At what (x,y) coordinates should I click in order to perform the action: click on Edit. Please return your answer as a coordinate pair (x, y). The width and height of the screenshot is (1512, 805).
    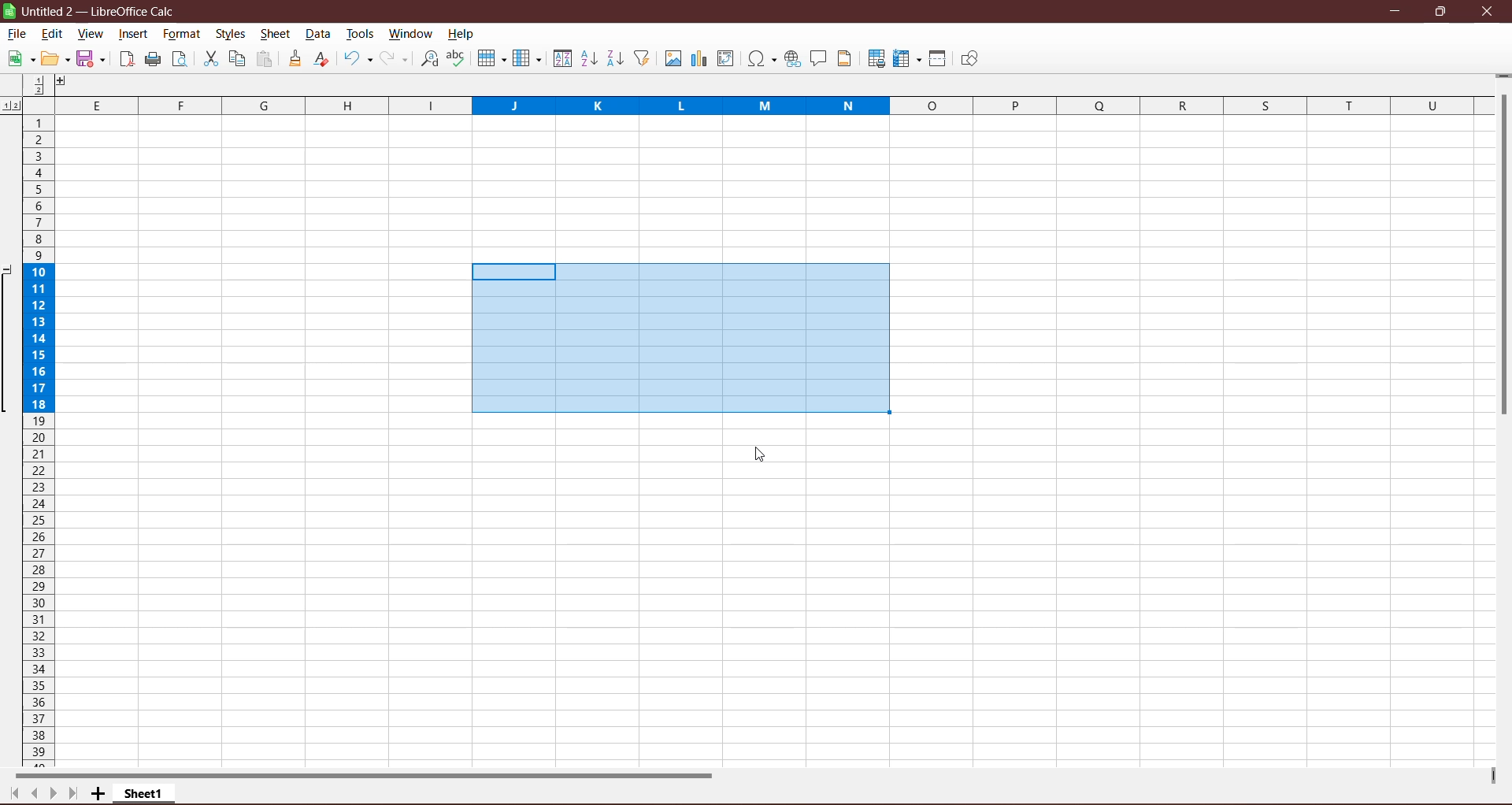
    Looking at the image, I should click on (56, 59).